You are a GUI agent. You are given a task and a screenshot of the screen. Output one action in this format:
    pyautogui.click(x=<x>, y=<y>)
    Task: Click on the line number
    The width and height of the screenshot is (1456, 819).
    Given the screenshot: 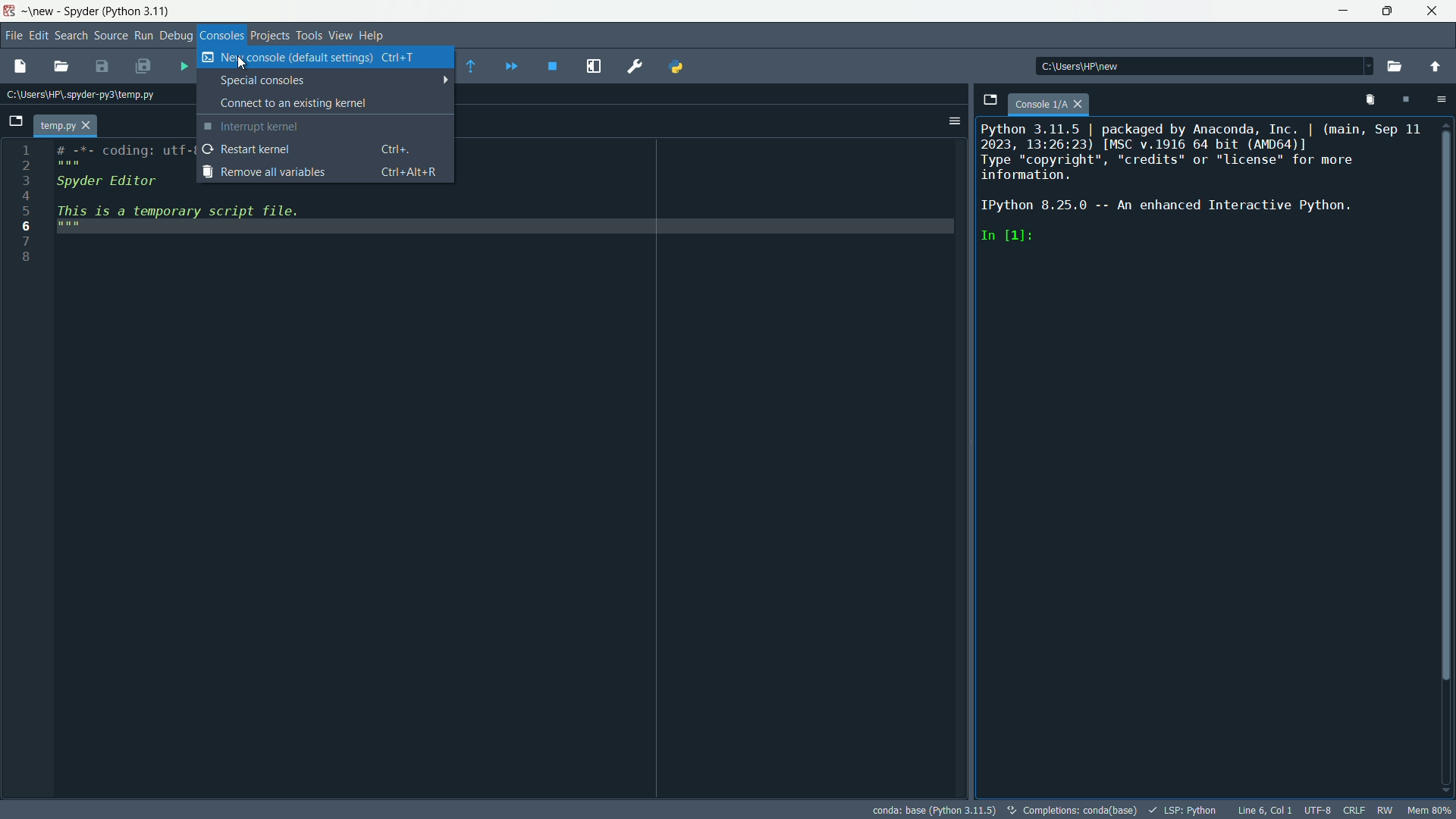 What is the action you would take?
    pyautogui.click(x=24, y=203)
    